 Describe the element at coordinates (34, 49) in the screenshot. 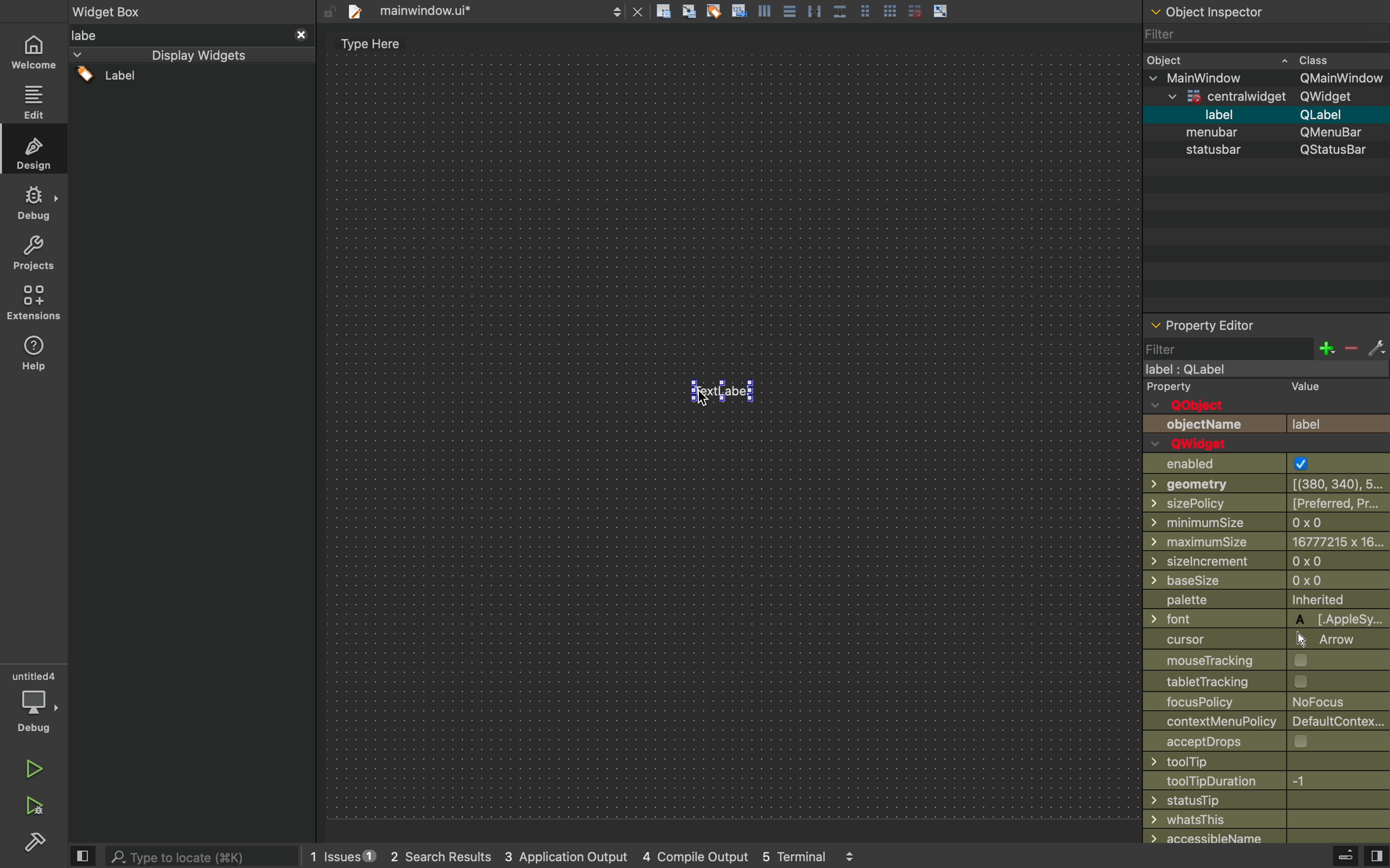

I see `home` at that location.